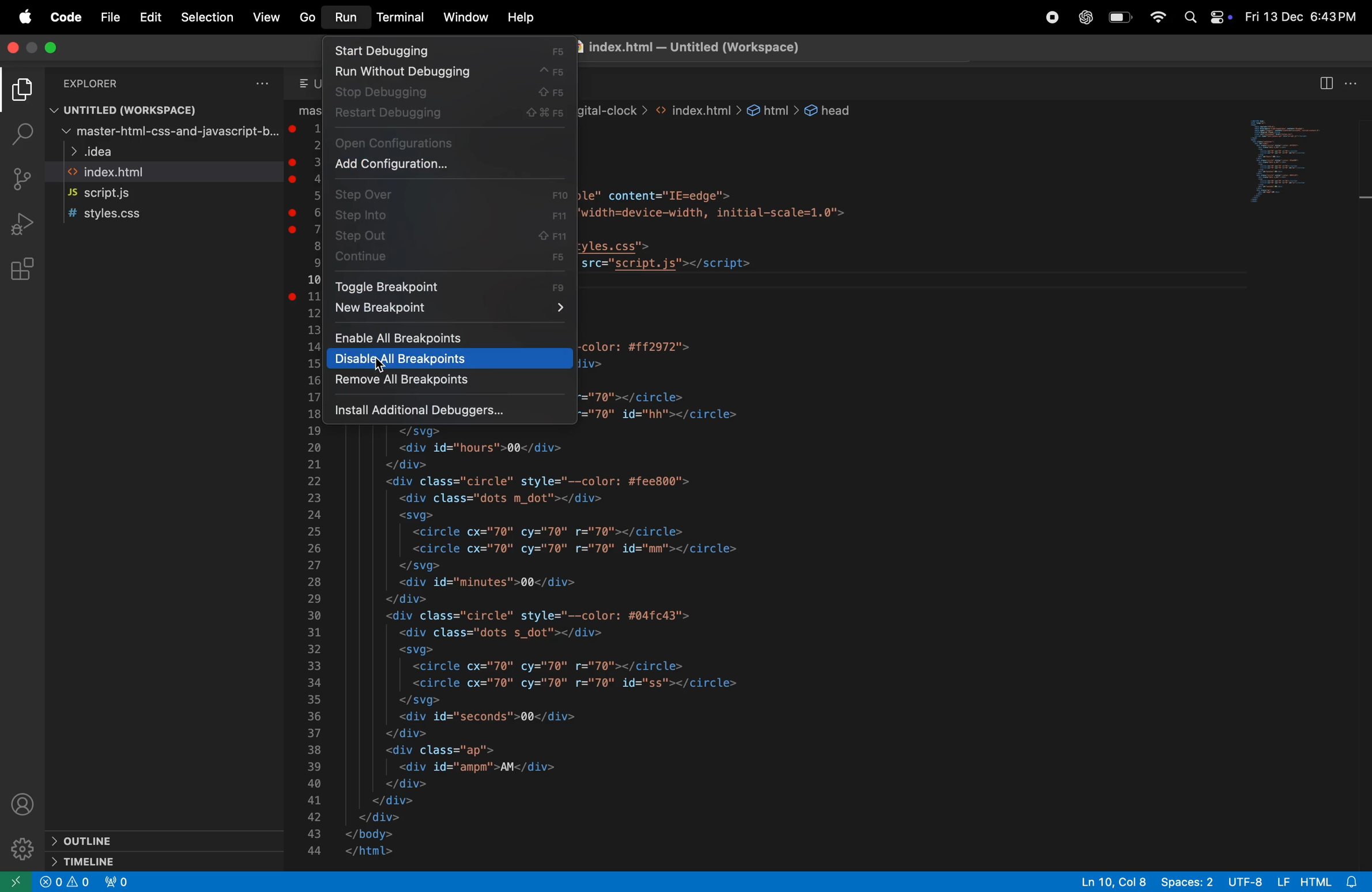 This screenshot has width=1372, height=892. Describe the element at coordinates (444, 410) in the screenshot. I see `install additional debuggers` at that location.